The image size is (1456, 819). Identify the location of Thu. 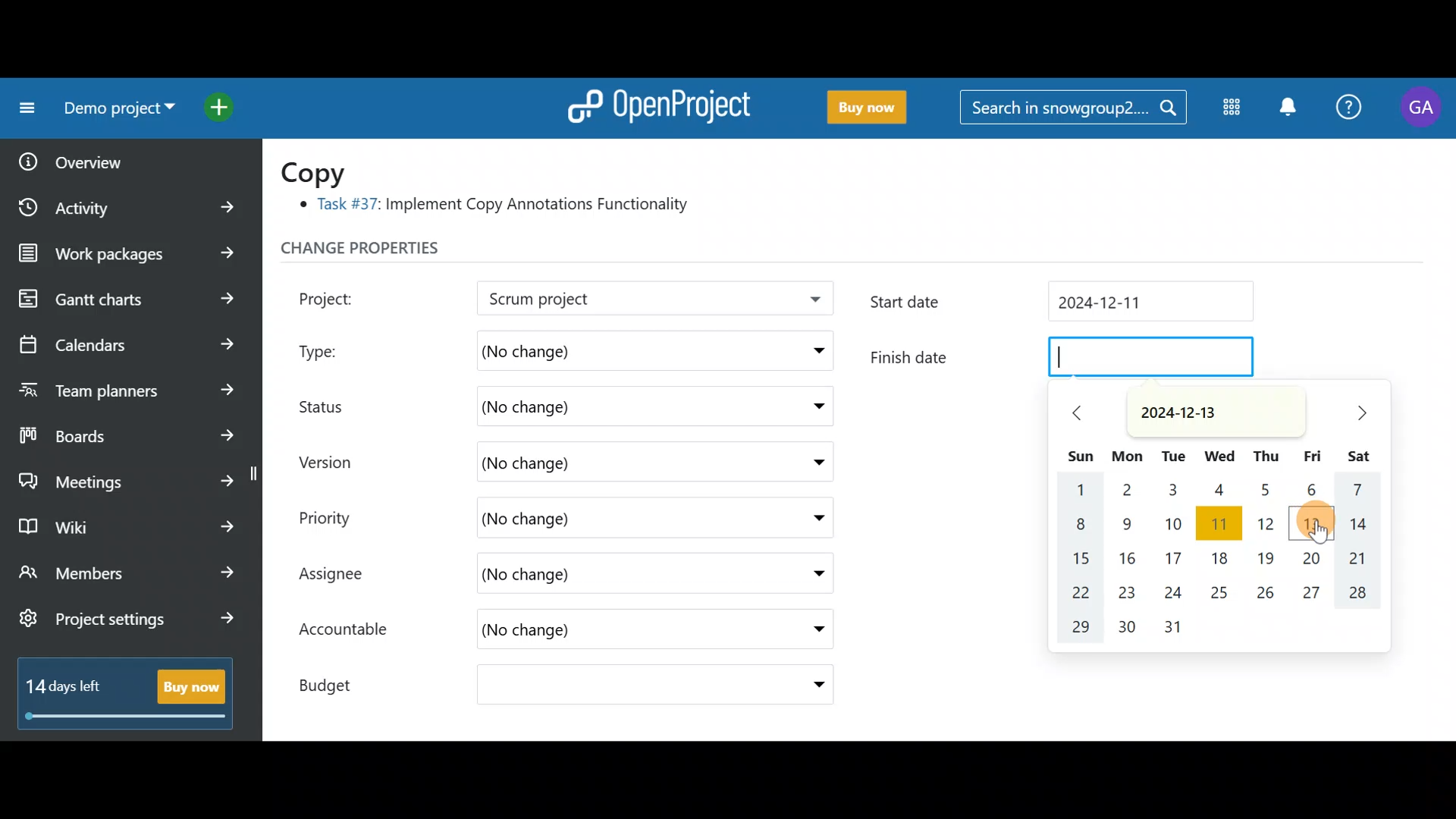
(1265, 455).